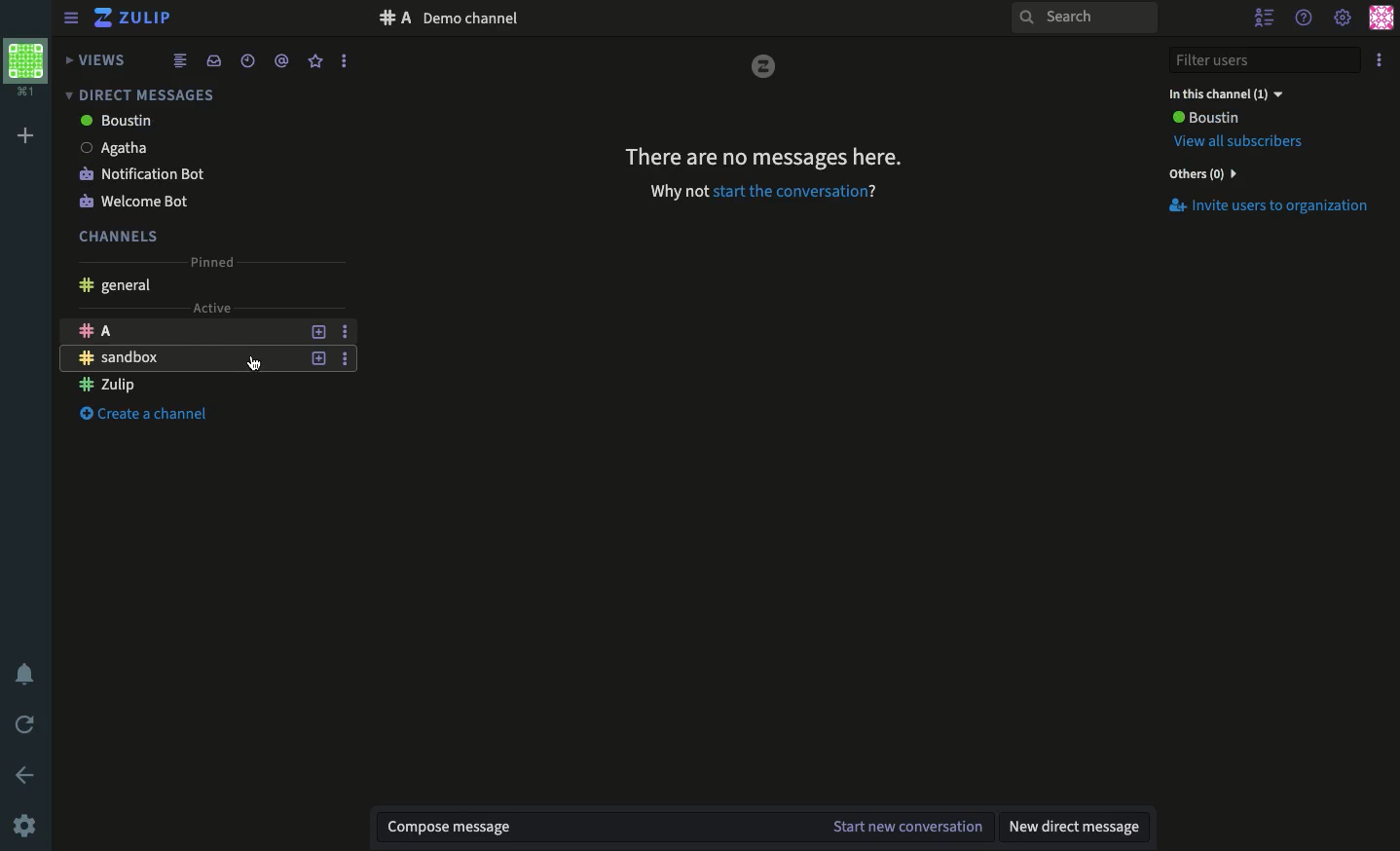 The width and height of the screenshot is (1400, 851). I want to click on Active, so click(210, 306).